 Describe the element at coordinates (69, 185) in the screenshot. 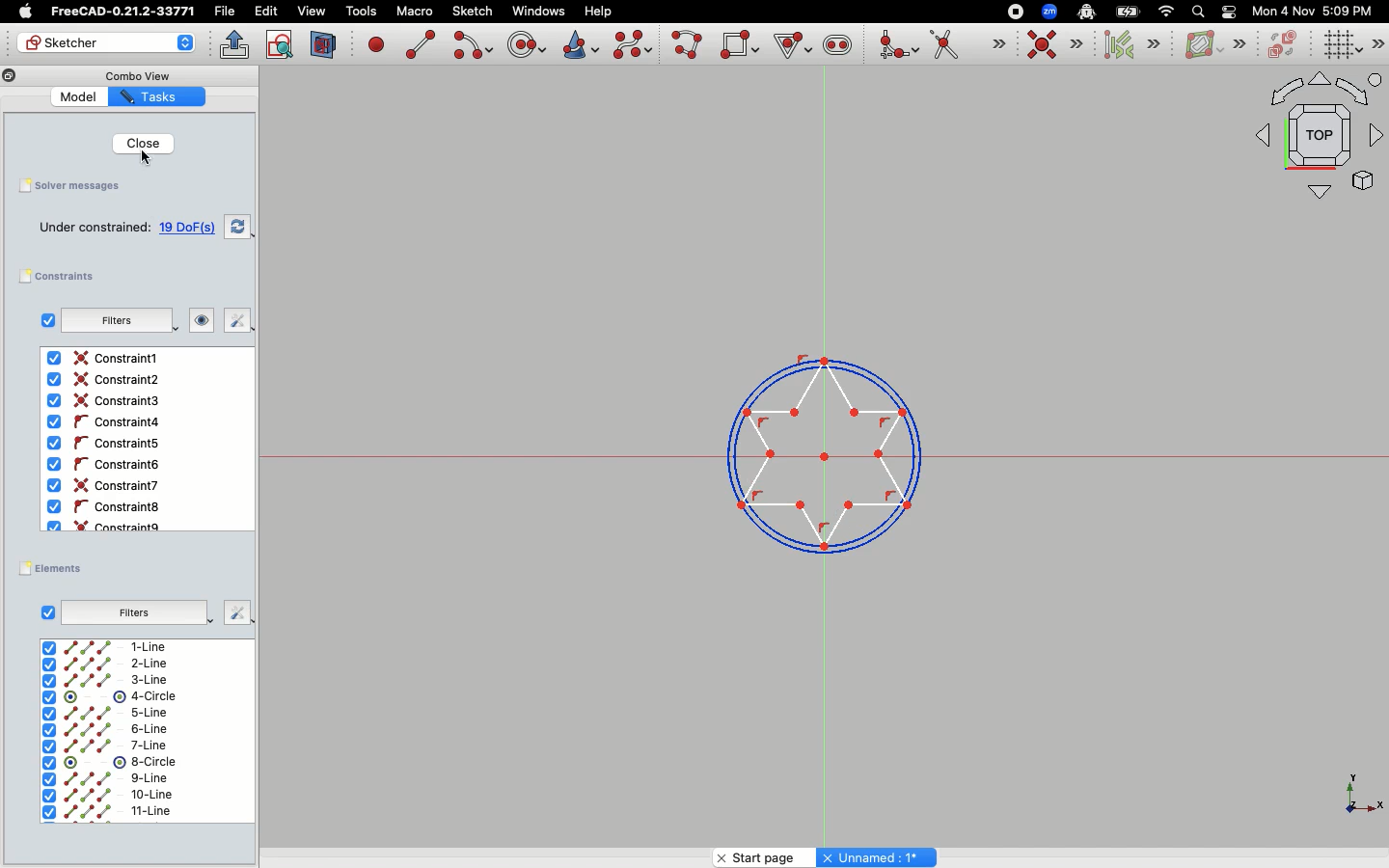

I see `Solver messages` at that location.